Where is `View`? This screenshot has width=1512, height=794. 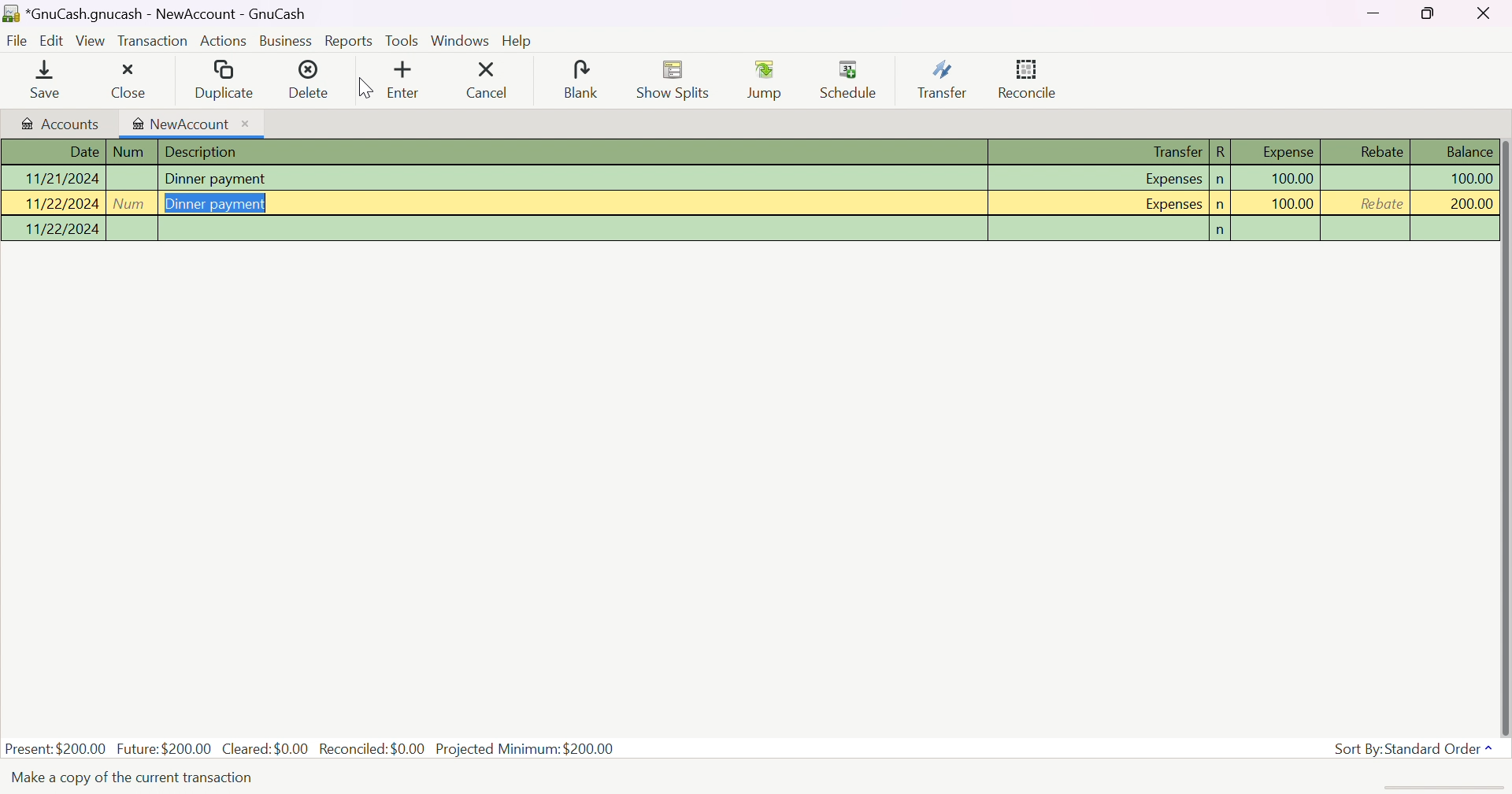 View is located at coordinates (91, 41).